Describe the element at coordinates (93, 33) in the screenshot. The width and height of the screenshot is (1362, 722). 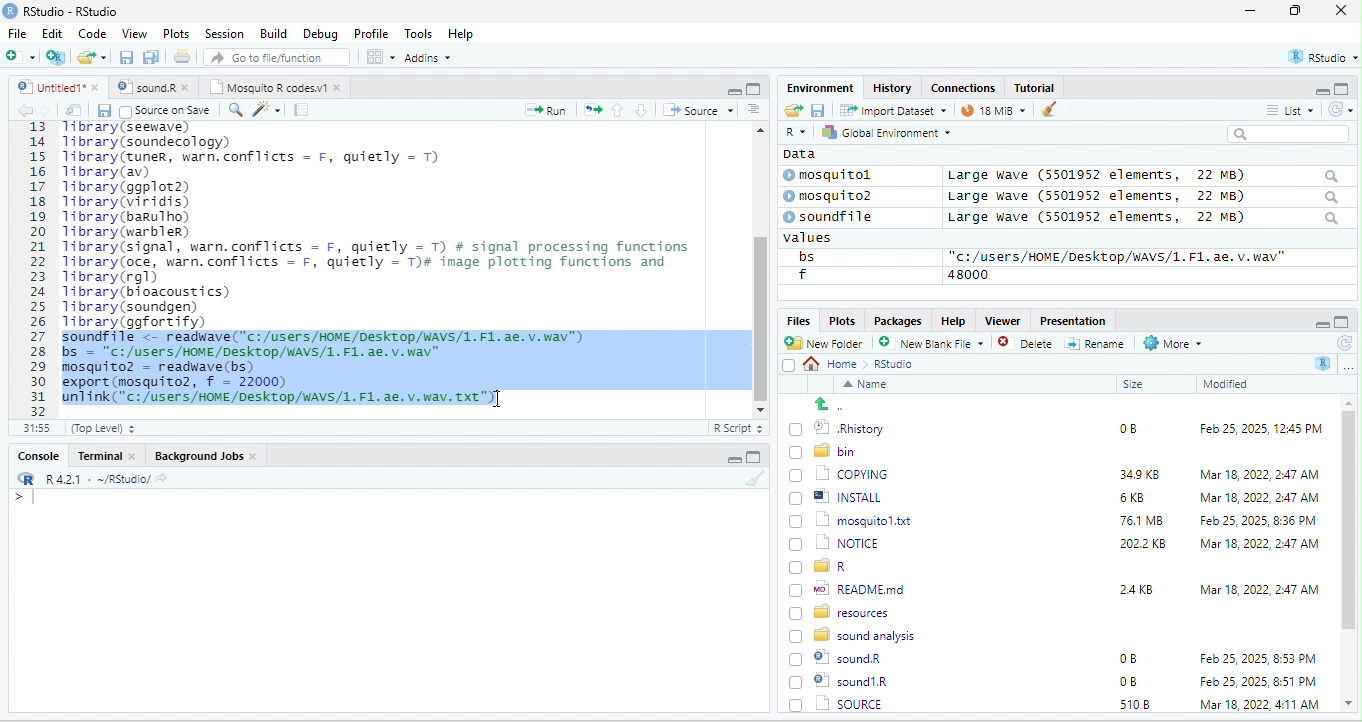
I see `Code` at that location.